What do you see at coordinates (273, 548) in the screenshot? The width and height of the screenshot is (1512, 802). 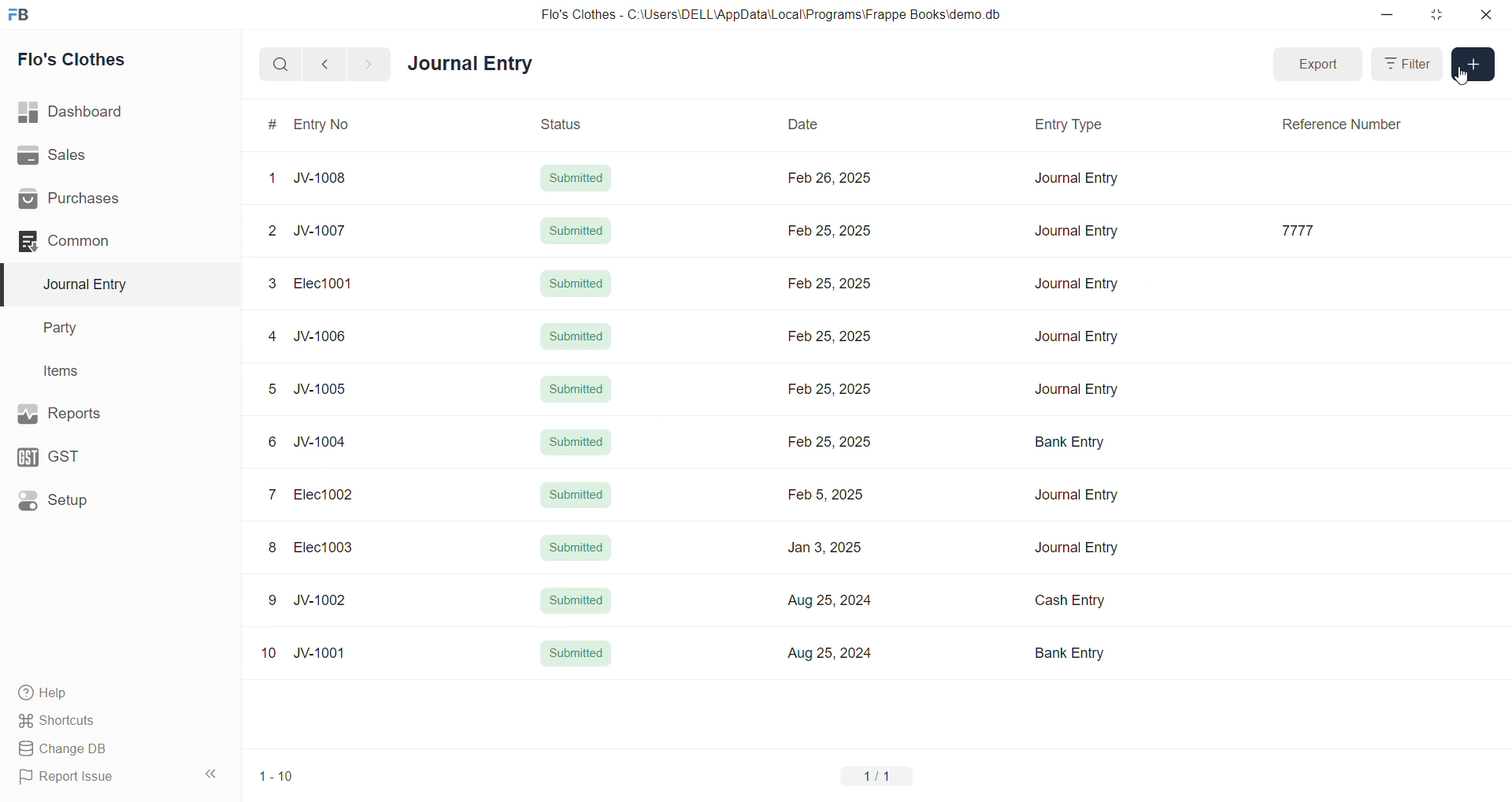 I see `8` at bounding box center [273, 548].